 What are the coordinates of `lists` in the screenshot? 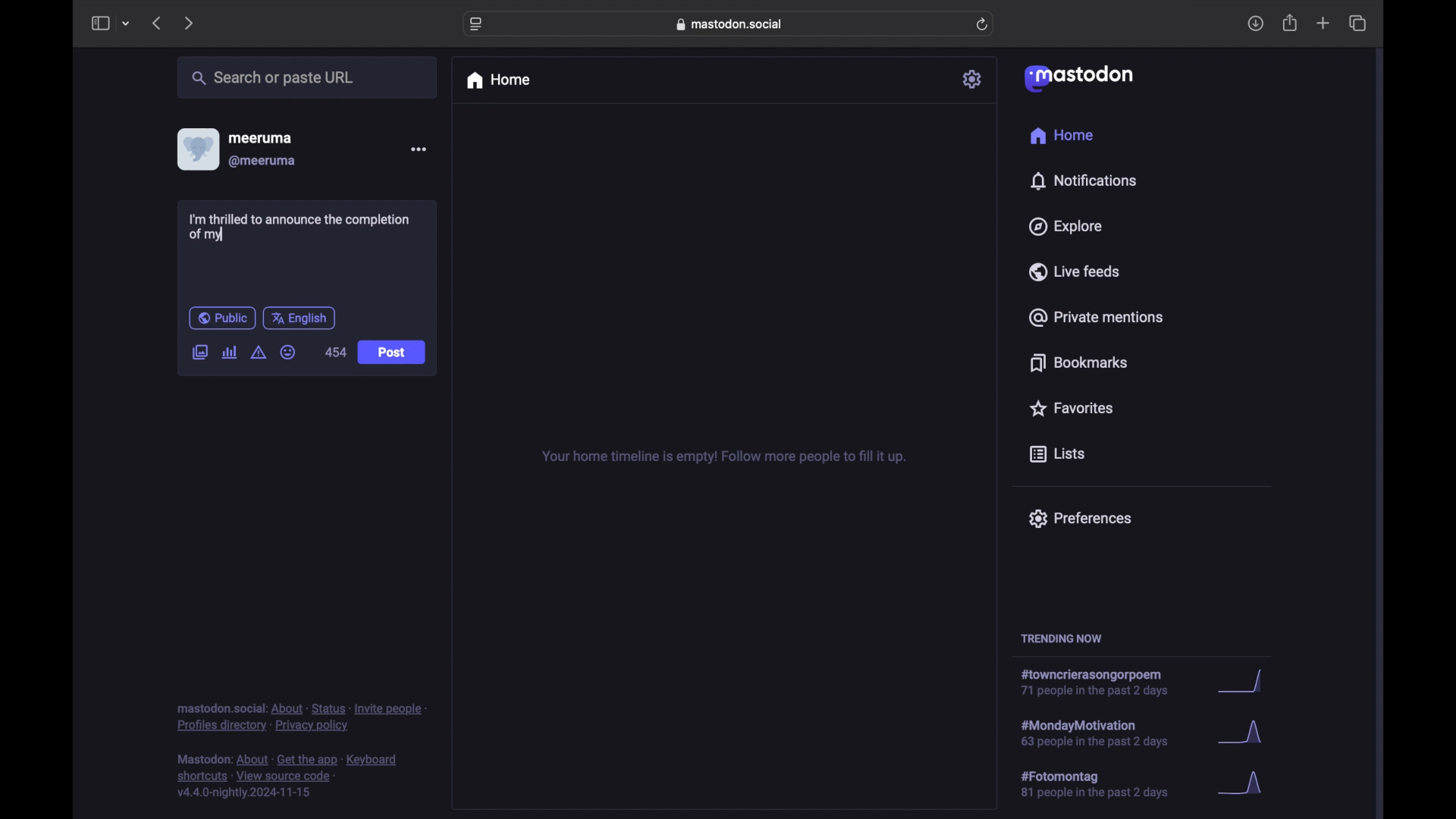 It's located at (1057, 455).